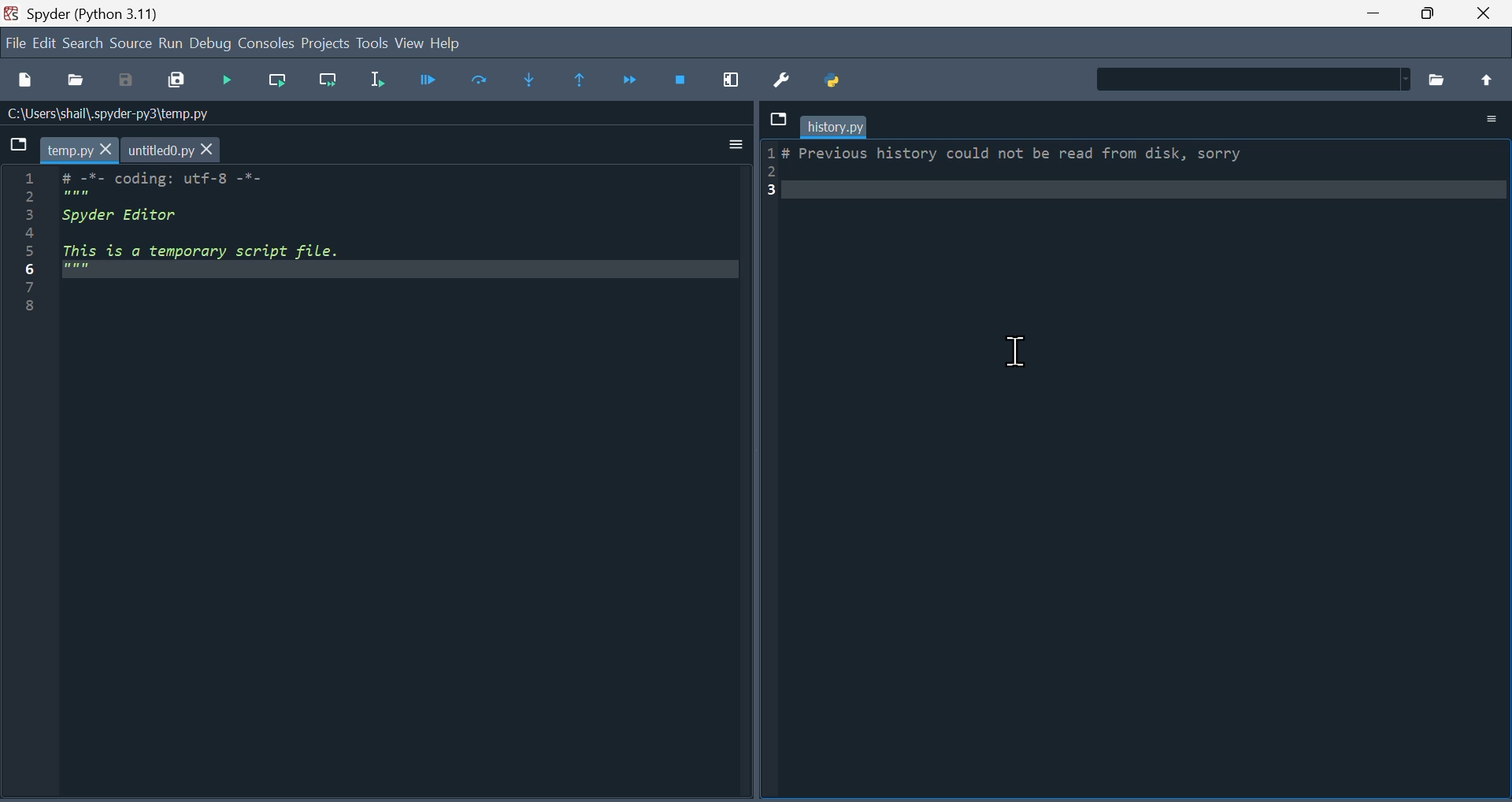 This screenshot has width=1512, height=802. What do you see at coordinates (1028, 157) in the screenshot?
I see `# Frevious Nilstory could not be read Trom disk, sorry` at bounding box center [1028, 157].